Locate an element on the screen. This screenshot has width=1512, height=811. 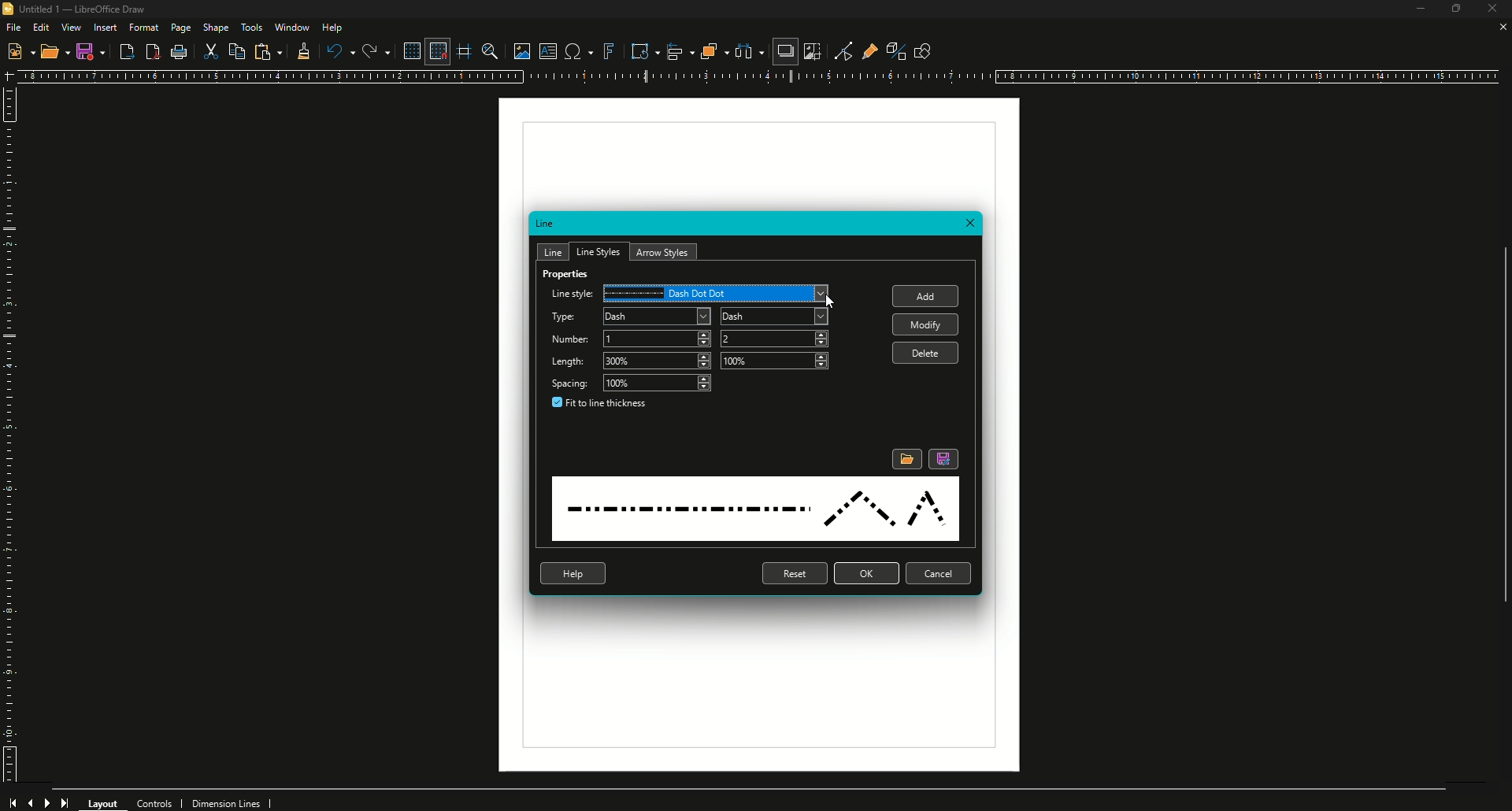
Show Draw Function is located at coordinates (922, 50).